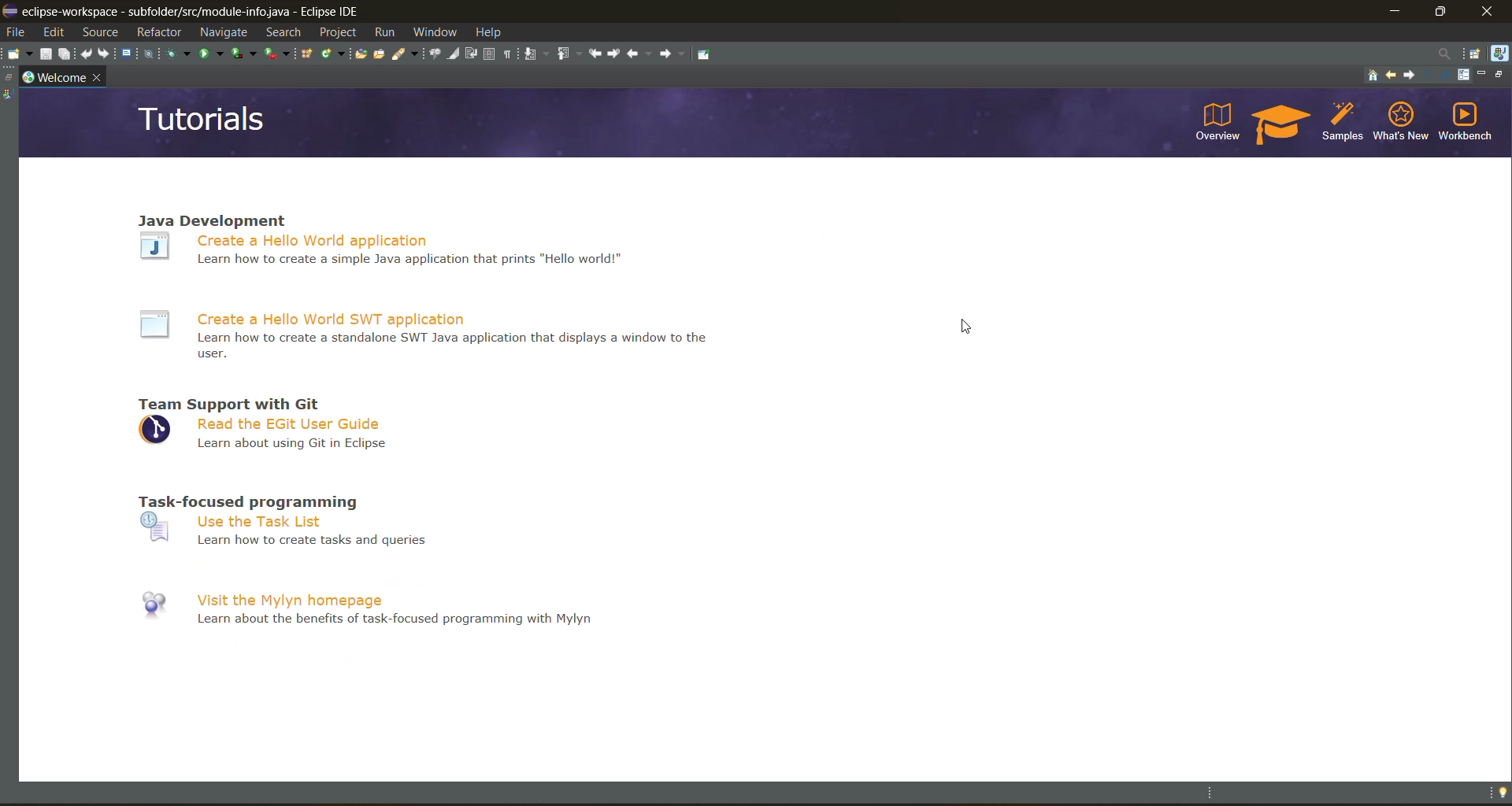 The height and width of the screenshot is (806, 1512). I want to click on welcome, so click(56, 77).